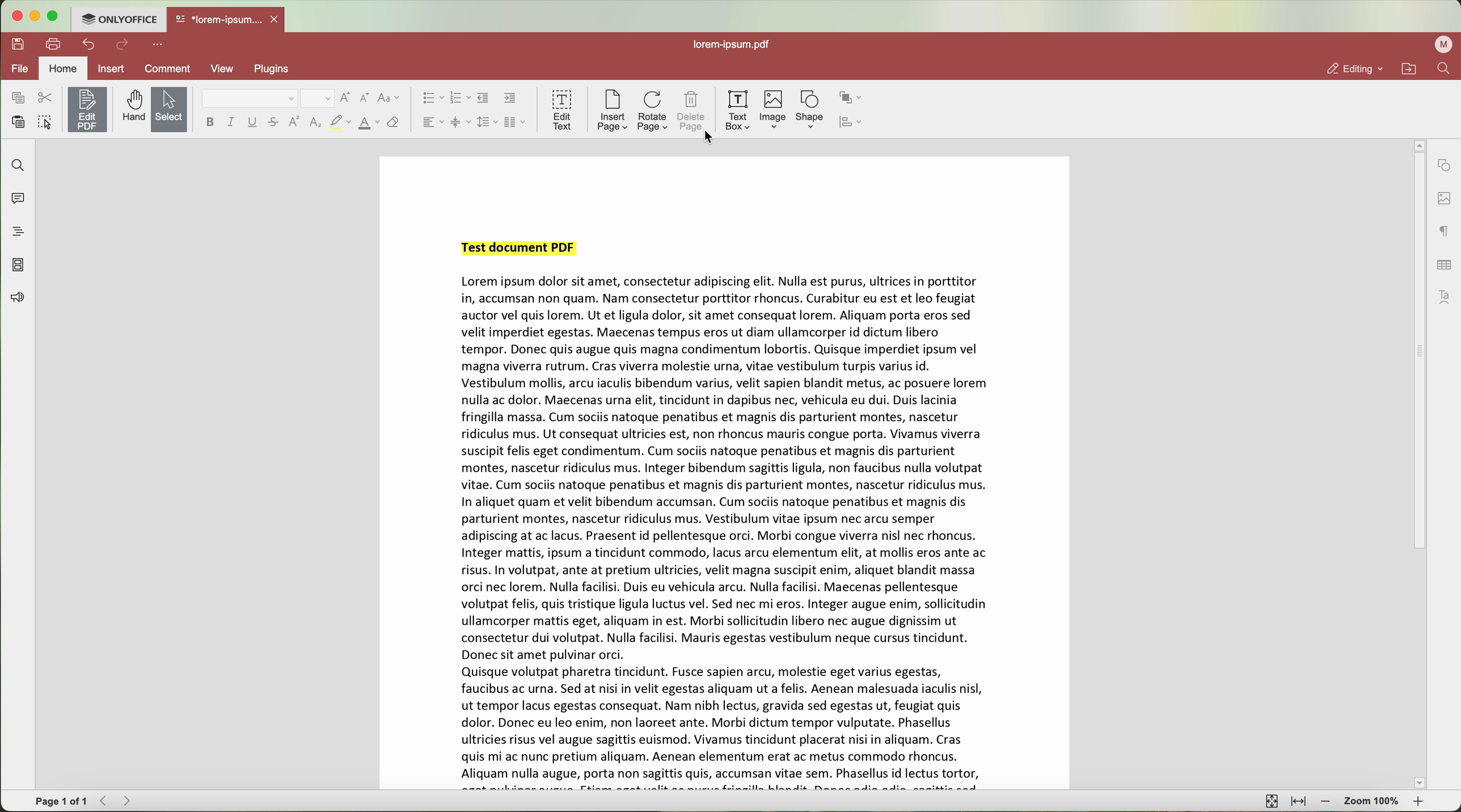 Image resolution: width=1461 pixels, height=812 pixels. Describe the element at coordinates (725, 474) in the screenshot. I see `Document` at that location.